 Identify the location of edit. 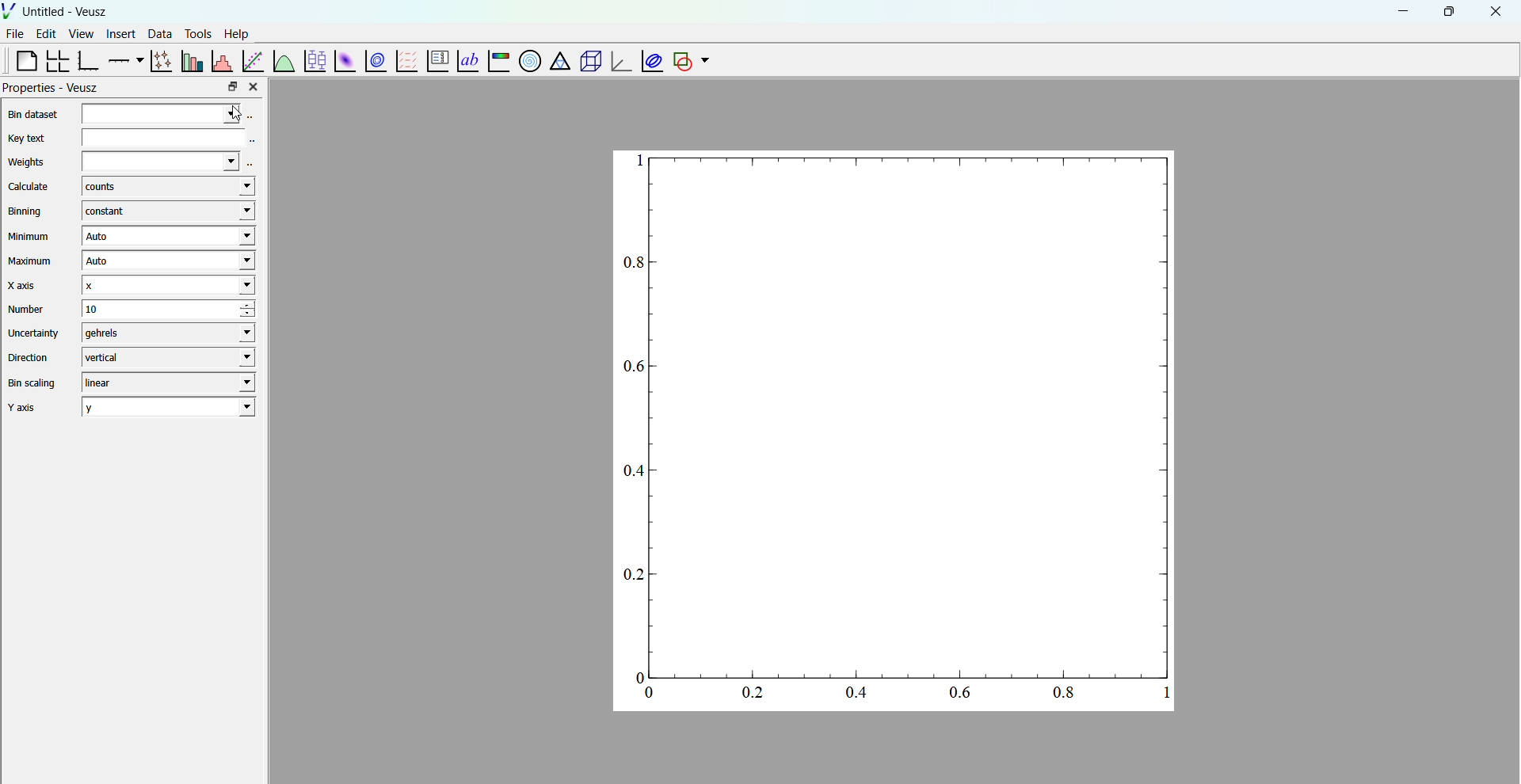
(48, 34).